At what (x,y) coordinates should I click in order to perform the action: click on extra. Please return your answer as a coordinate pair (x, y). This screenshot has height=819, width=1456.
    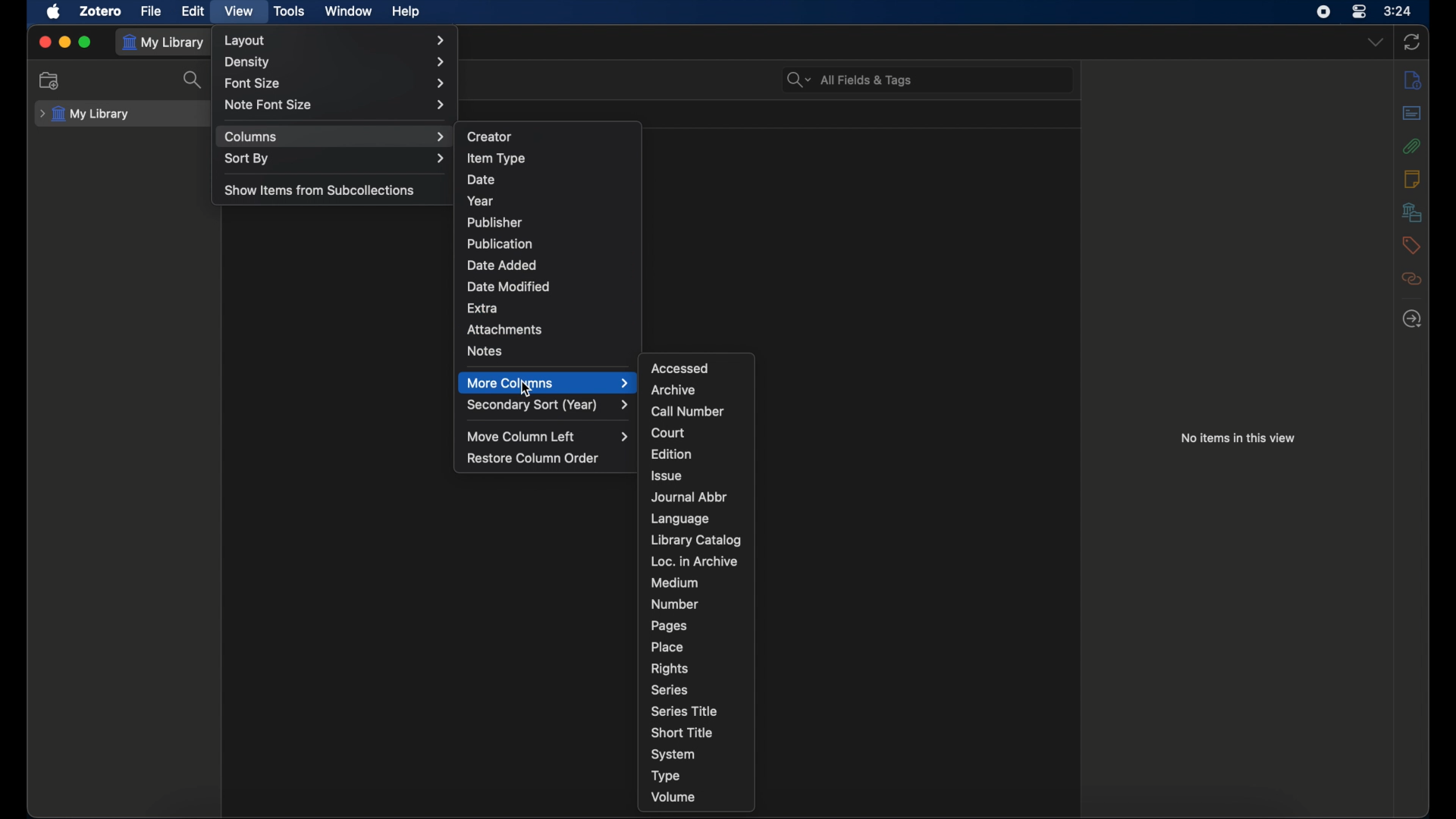
    Looking at the image, I should click on (483, 308).